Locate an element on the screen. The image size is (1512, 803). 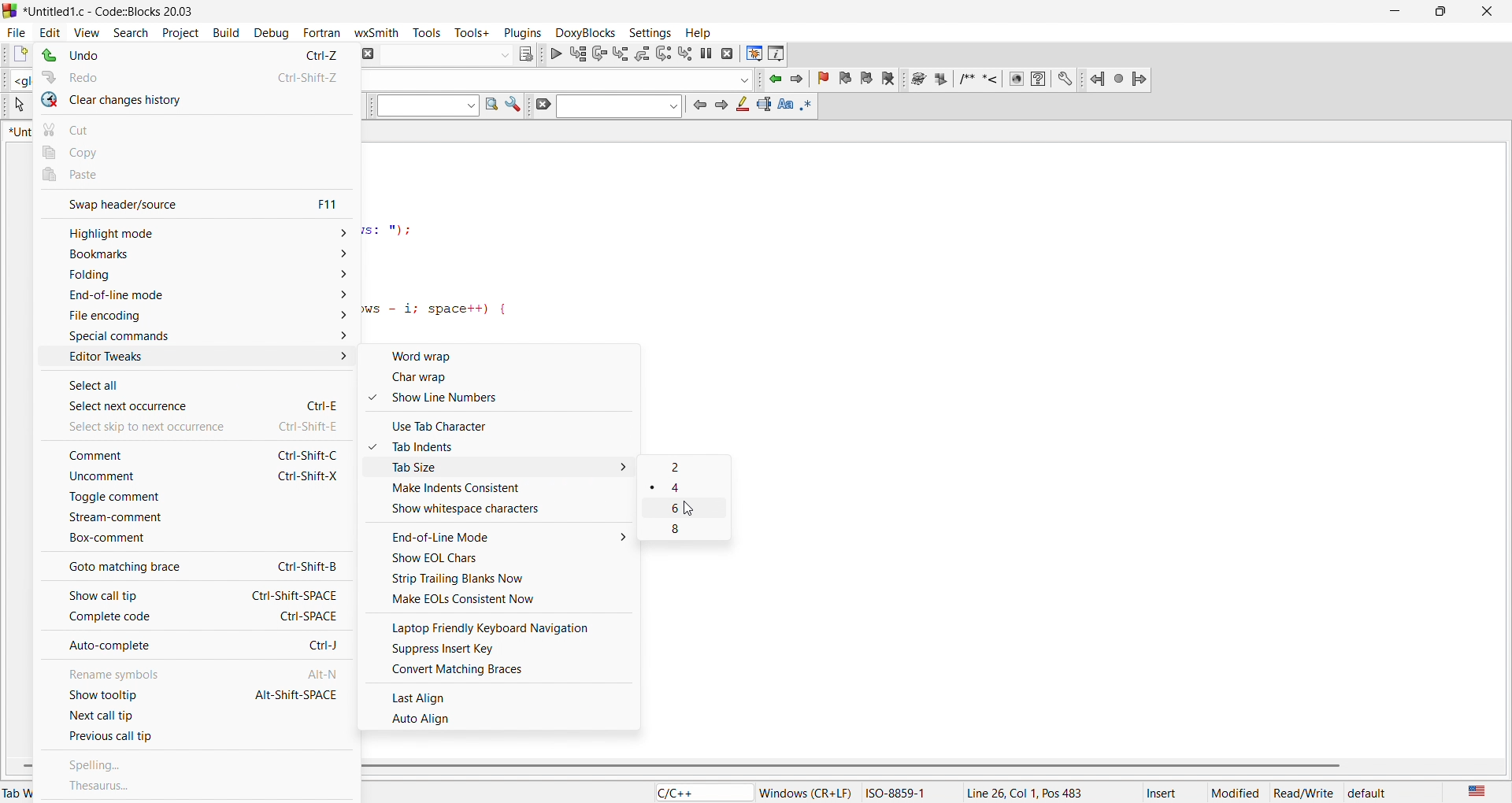
show line numbers is located at coordinates (504, 400).